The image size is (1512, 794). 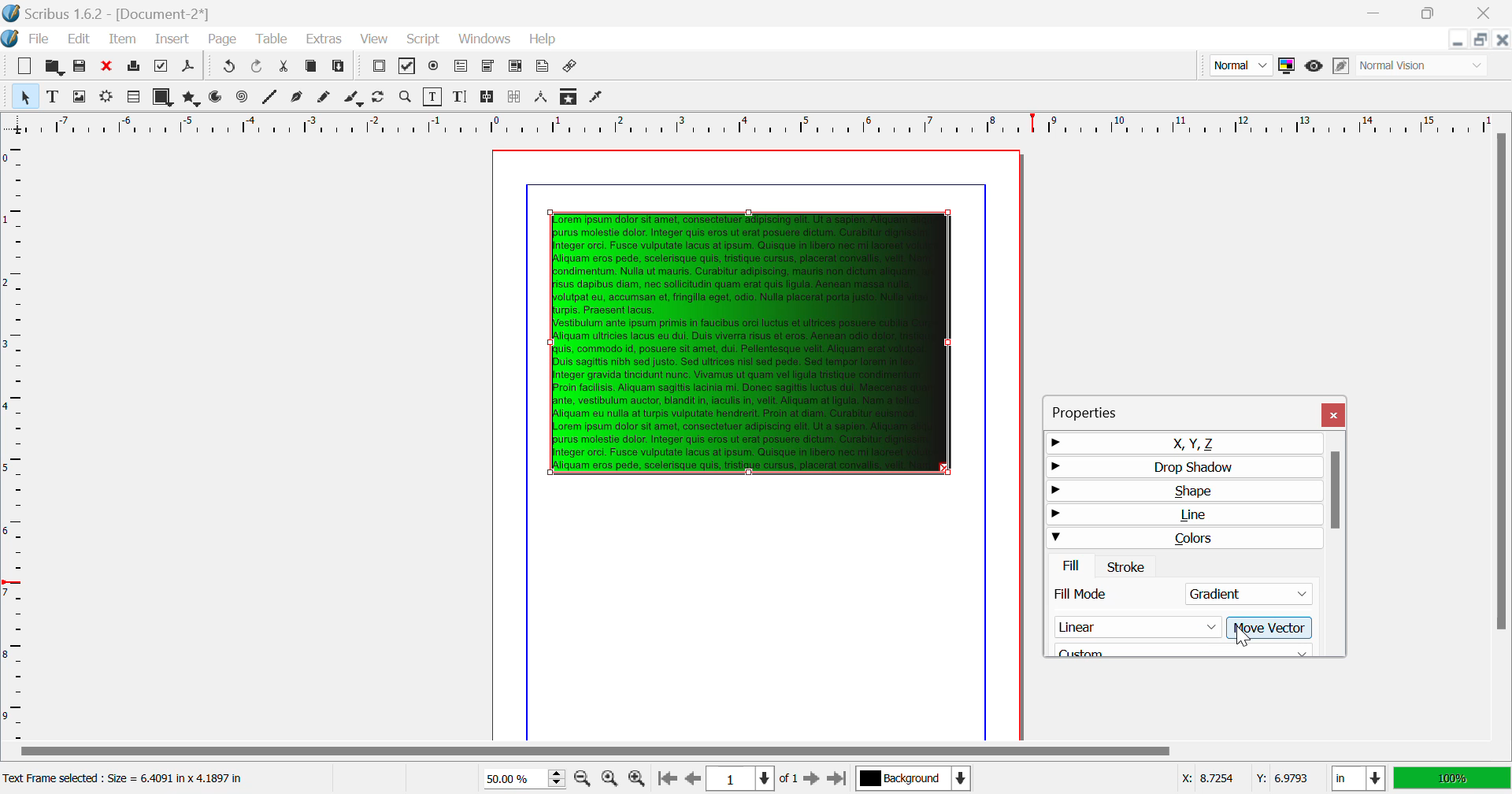 What do you see at coordinates (135, 66) in the screenshot?
I see `Print` at bounding box center [135, 66].